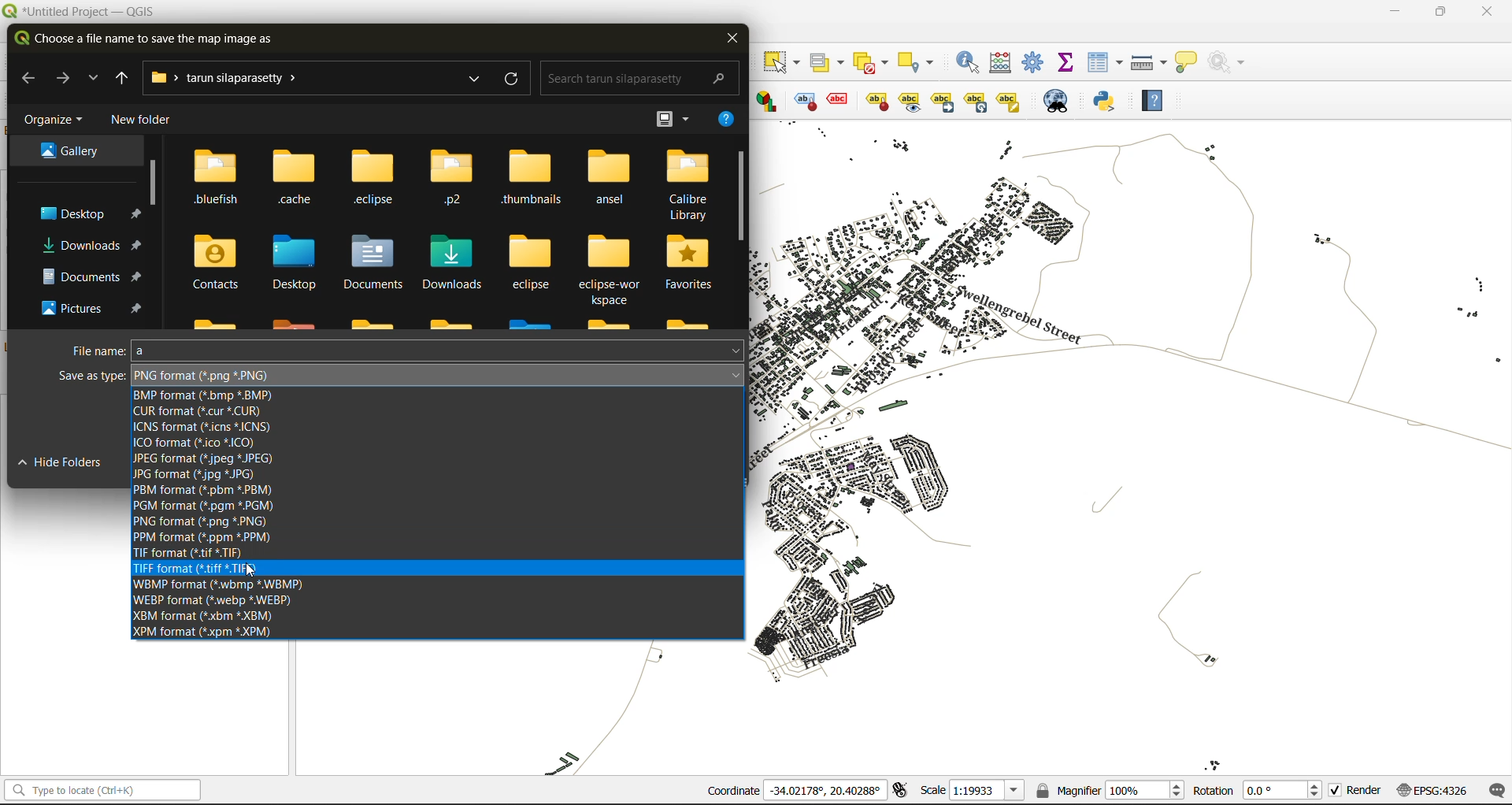  I want to click on wbmp, so click(220, 586).